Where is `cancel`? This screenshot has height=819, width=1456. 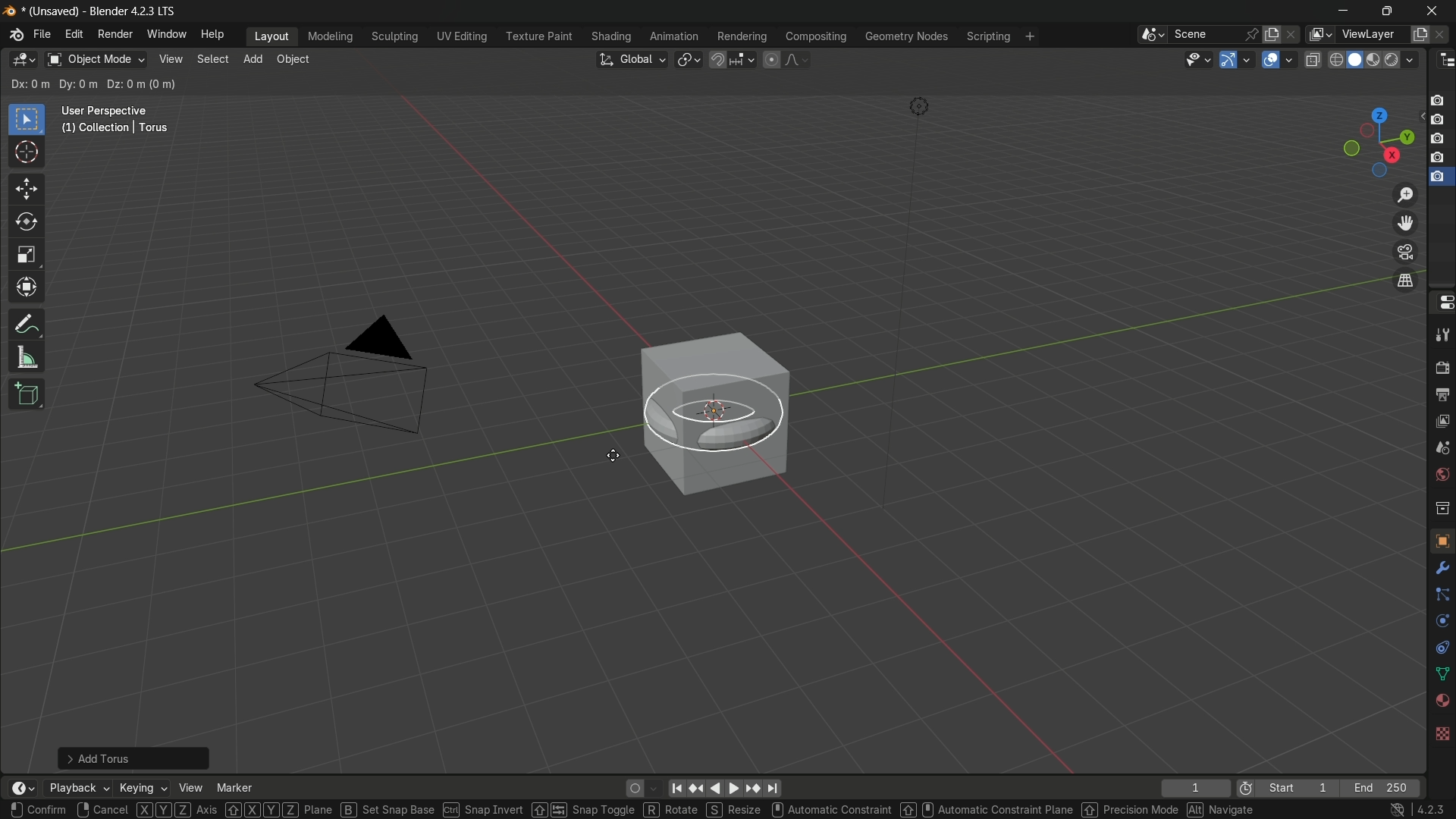
cancel is located at coordinates (102, 809).